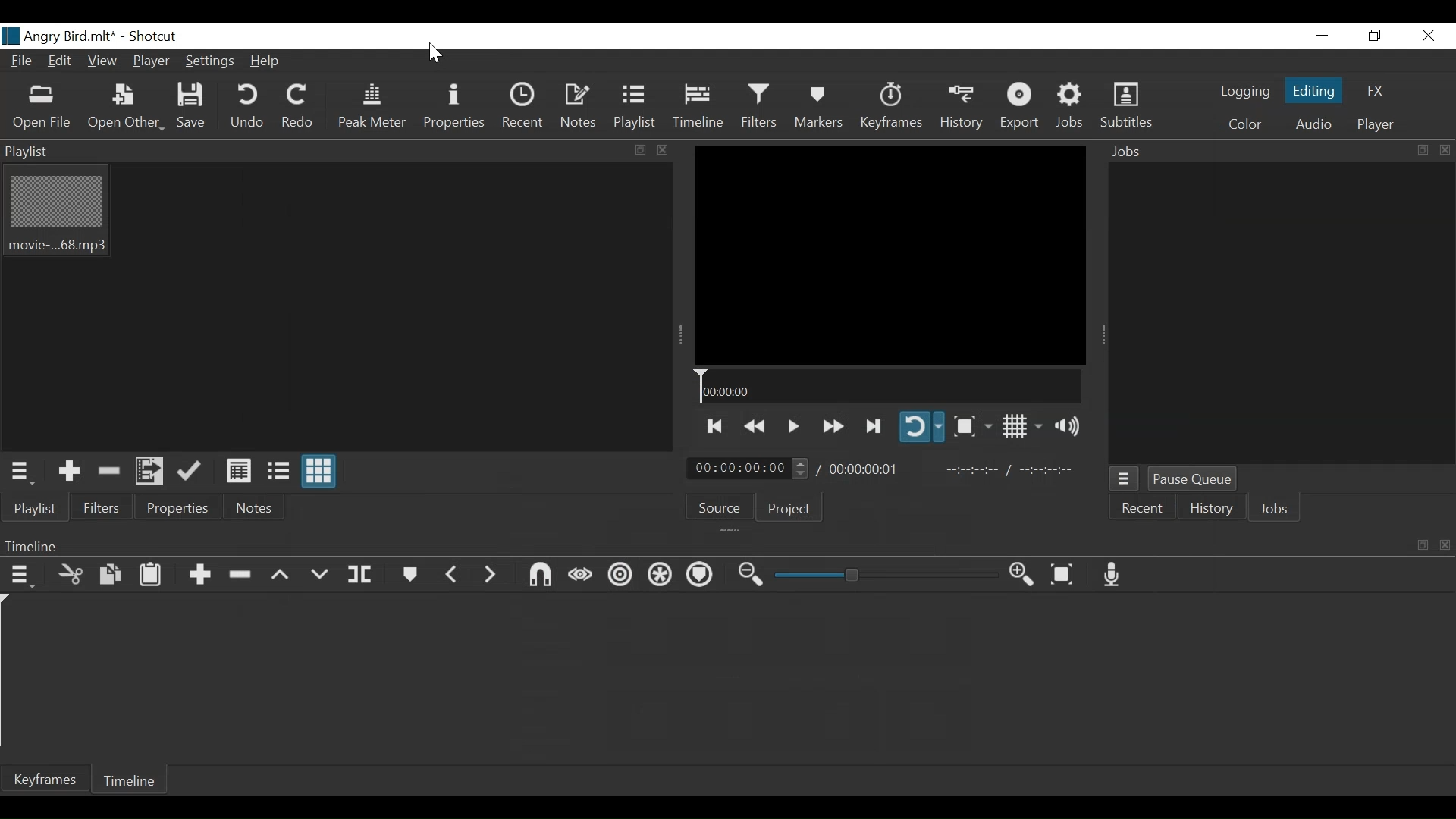  I want to click on Notes, so click(257, 505).